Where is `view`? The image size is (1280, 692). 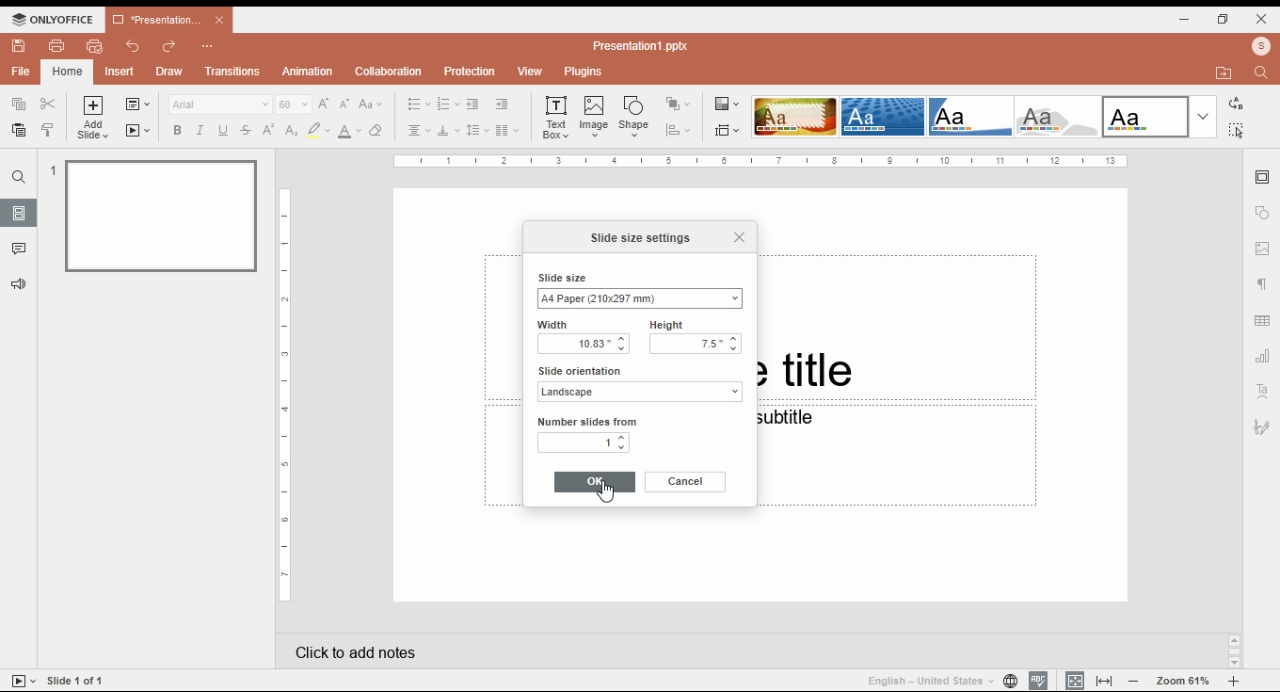
view is located at coordinates (529, 72).